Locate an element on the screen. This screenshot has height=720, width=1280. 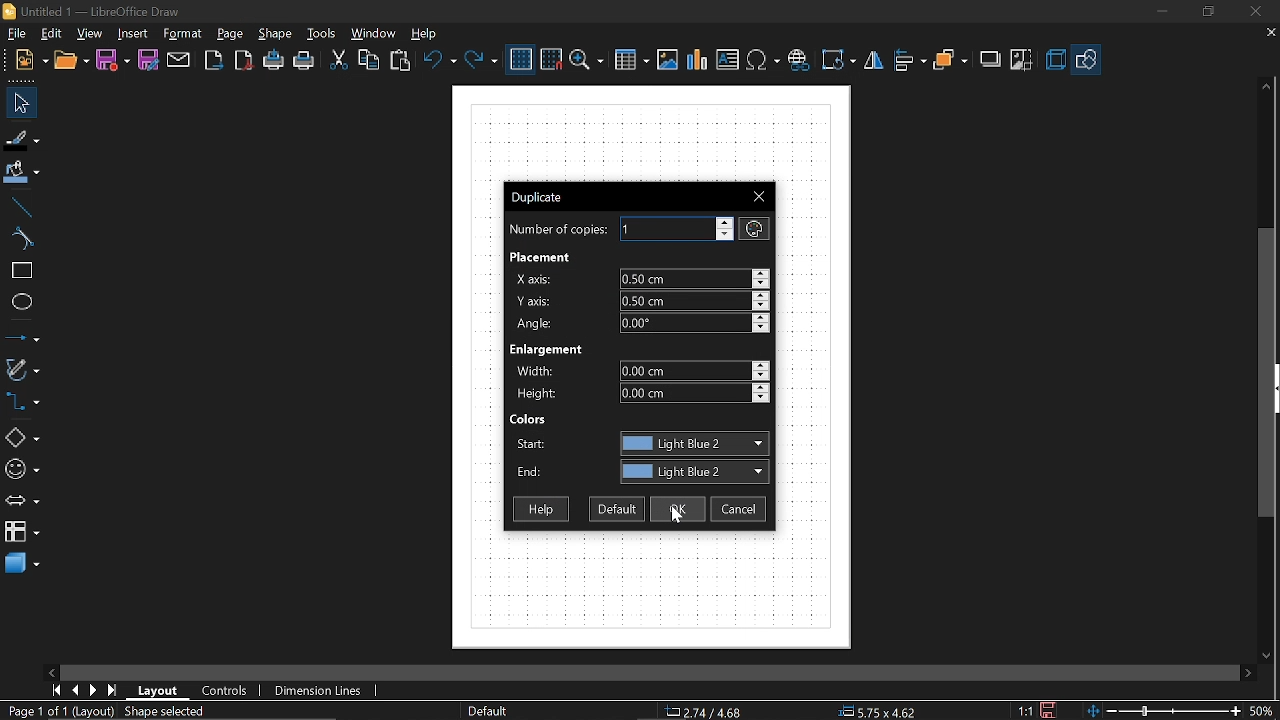
Move right is located at coordinates (1250, 672).